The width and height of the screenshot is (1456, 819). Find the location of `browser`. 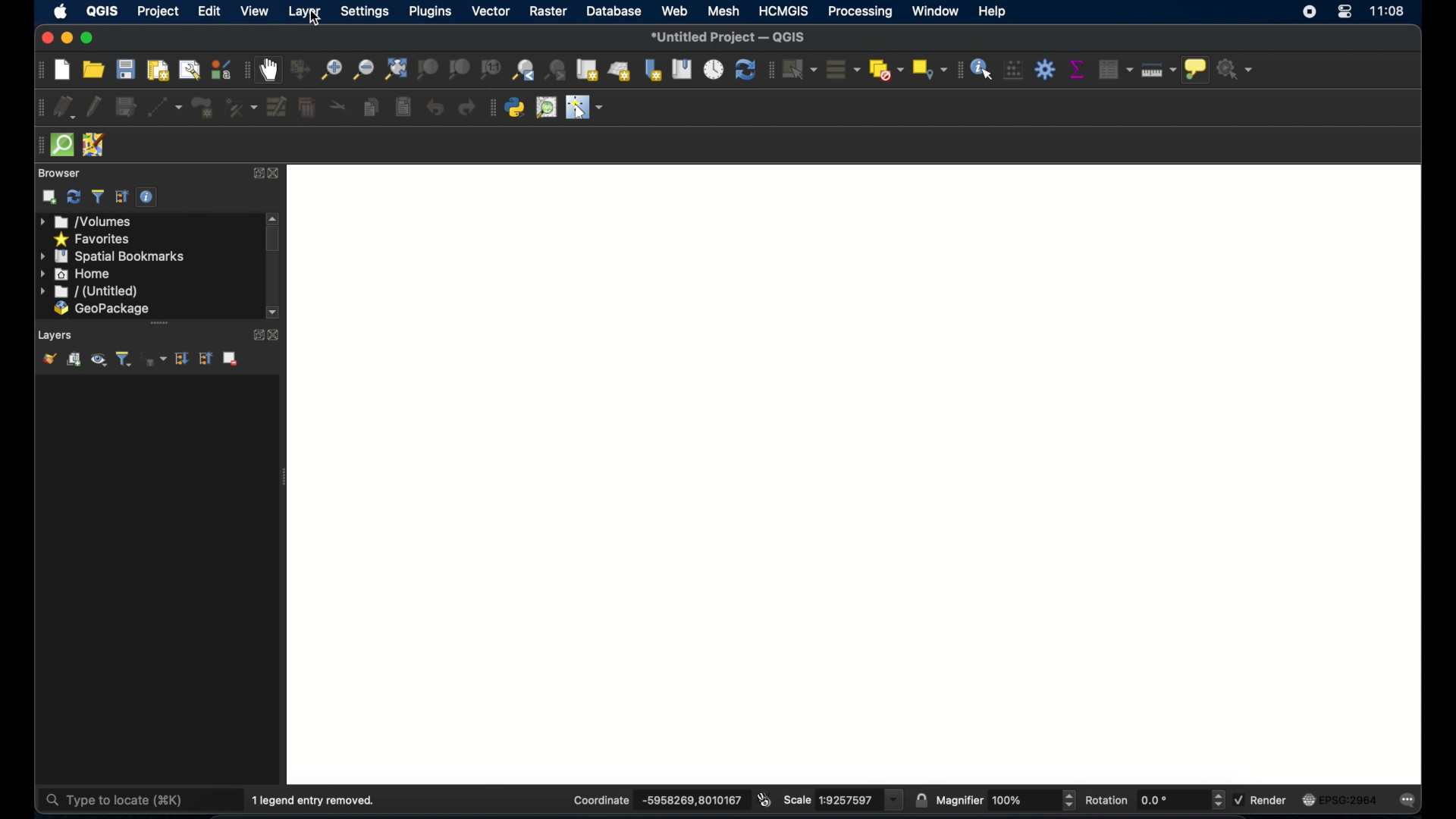

browser is located at coordinates (58, 172).